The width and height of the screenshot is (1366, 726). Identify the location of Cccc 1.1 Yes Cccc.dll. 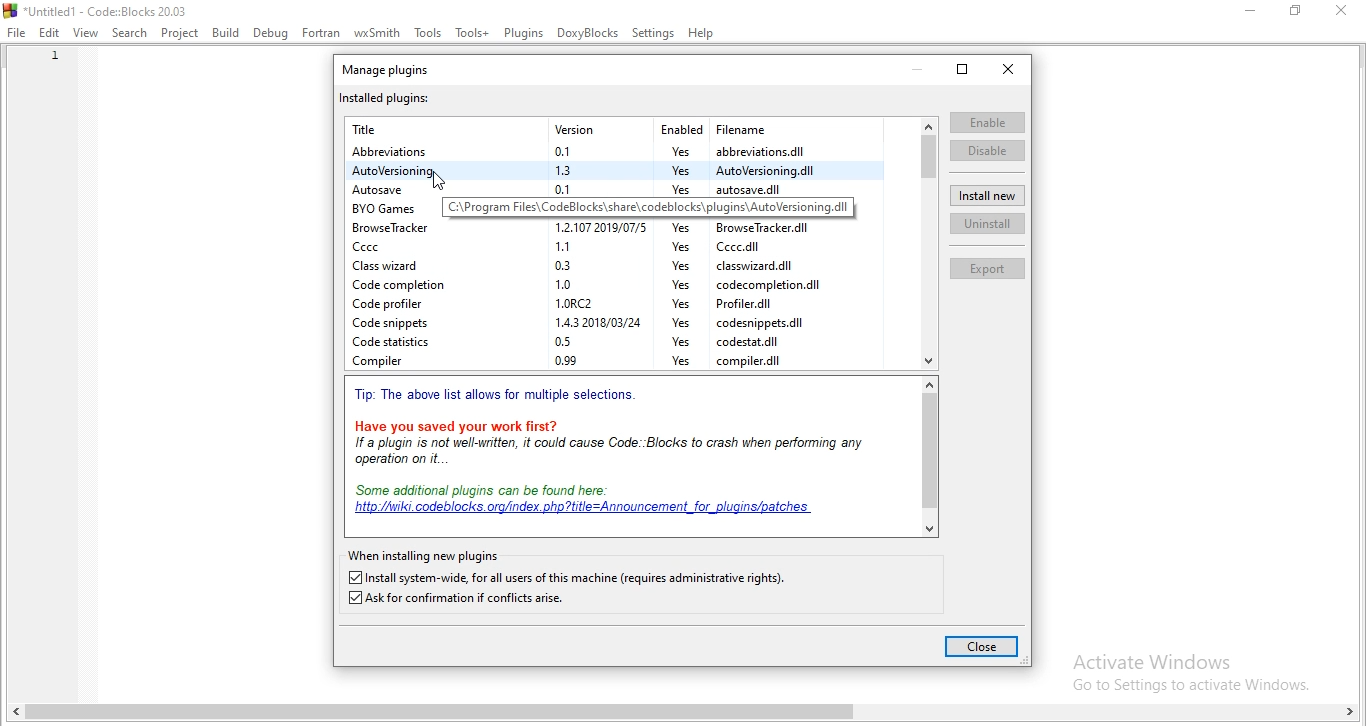
(585, 246).